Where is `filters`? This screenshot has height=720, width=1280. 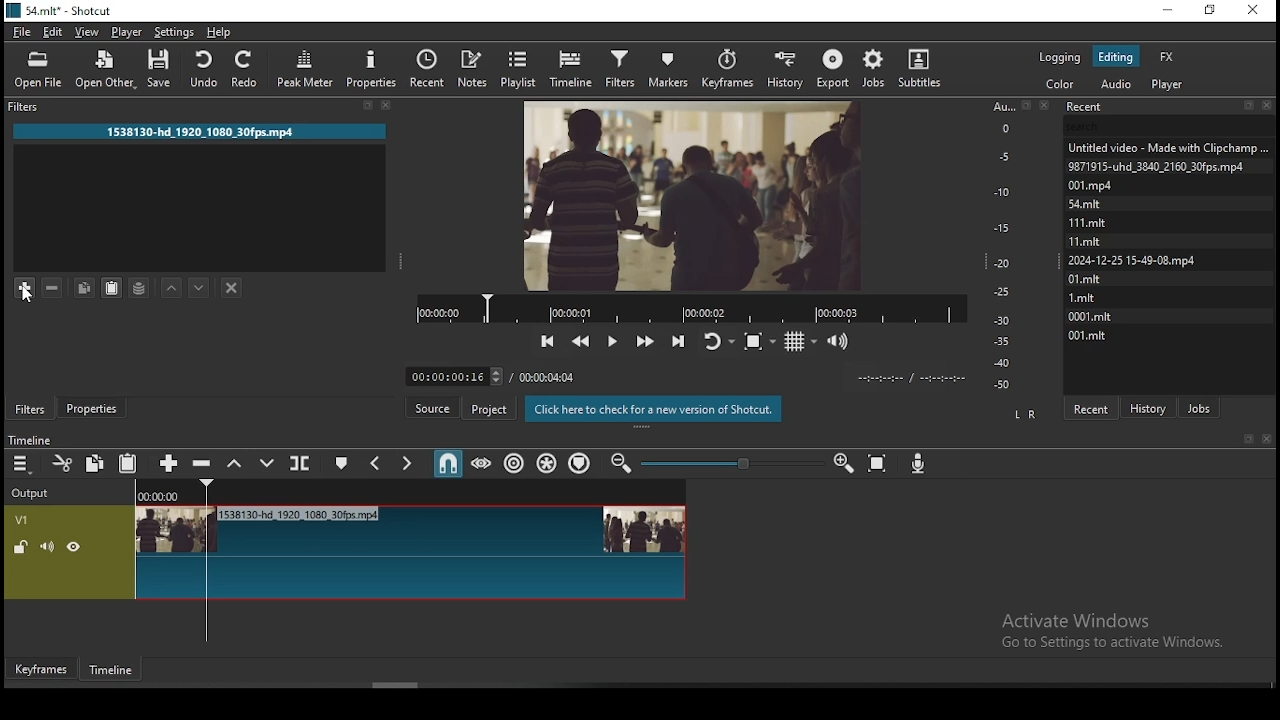 filters is located at coordinates (30, 411).